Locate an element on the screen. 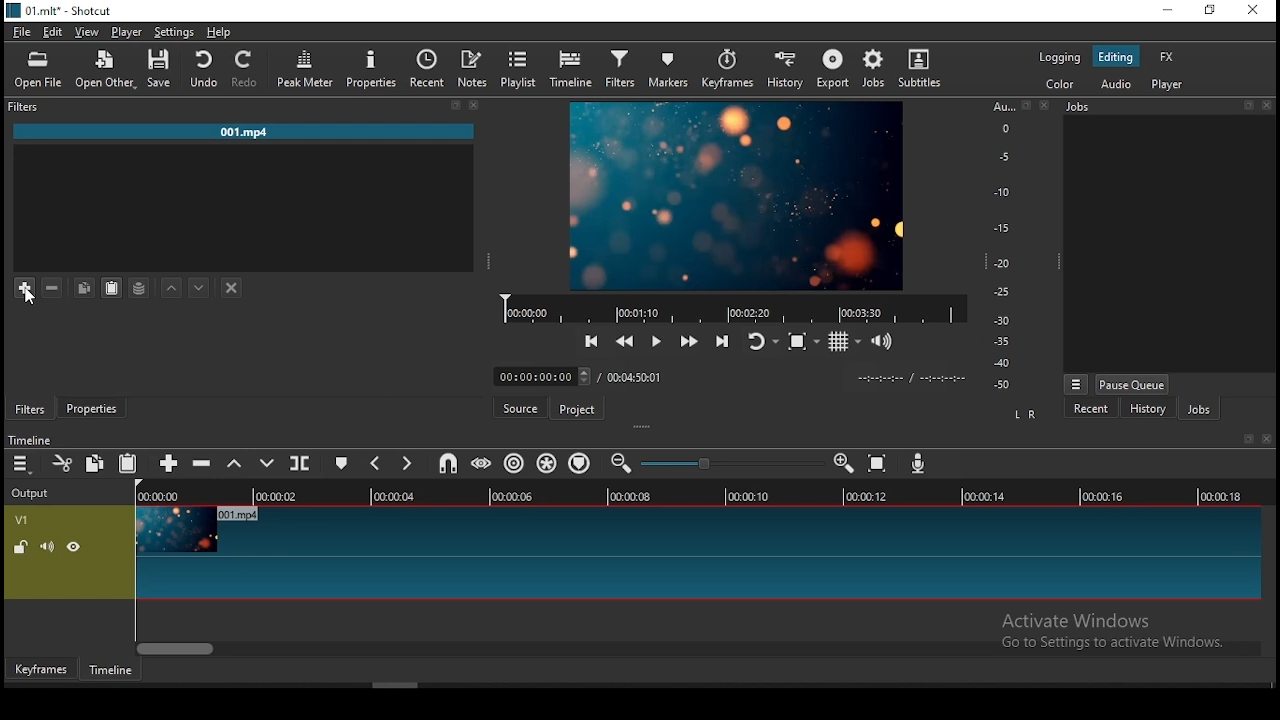 This screenshot has width=1280, height=720. toggle player after looping is located at coordinates (759, 340).